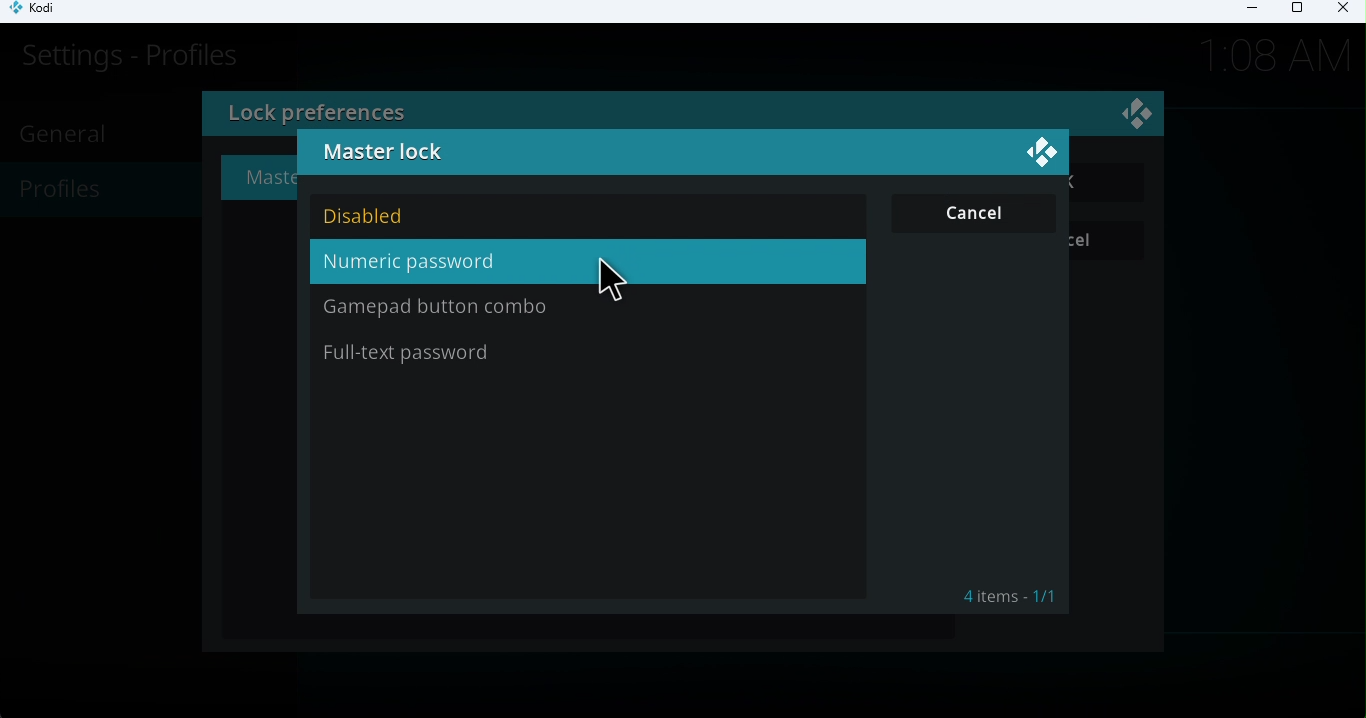 The height and width of the screenshot is (718, 1366). Describe the element at coordinates (1045, 152) in the screenshot. I see `Close` at that location.